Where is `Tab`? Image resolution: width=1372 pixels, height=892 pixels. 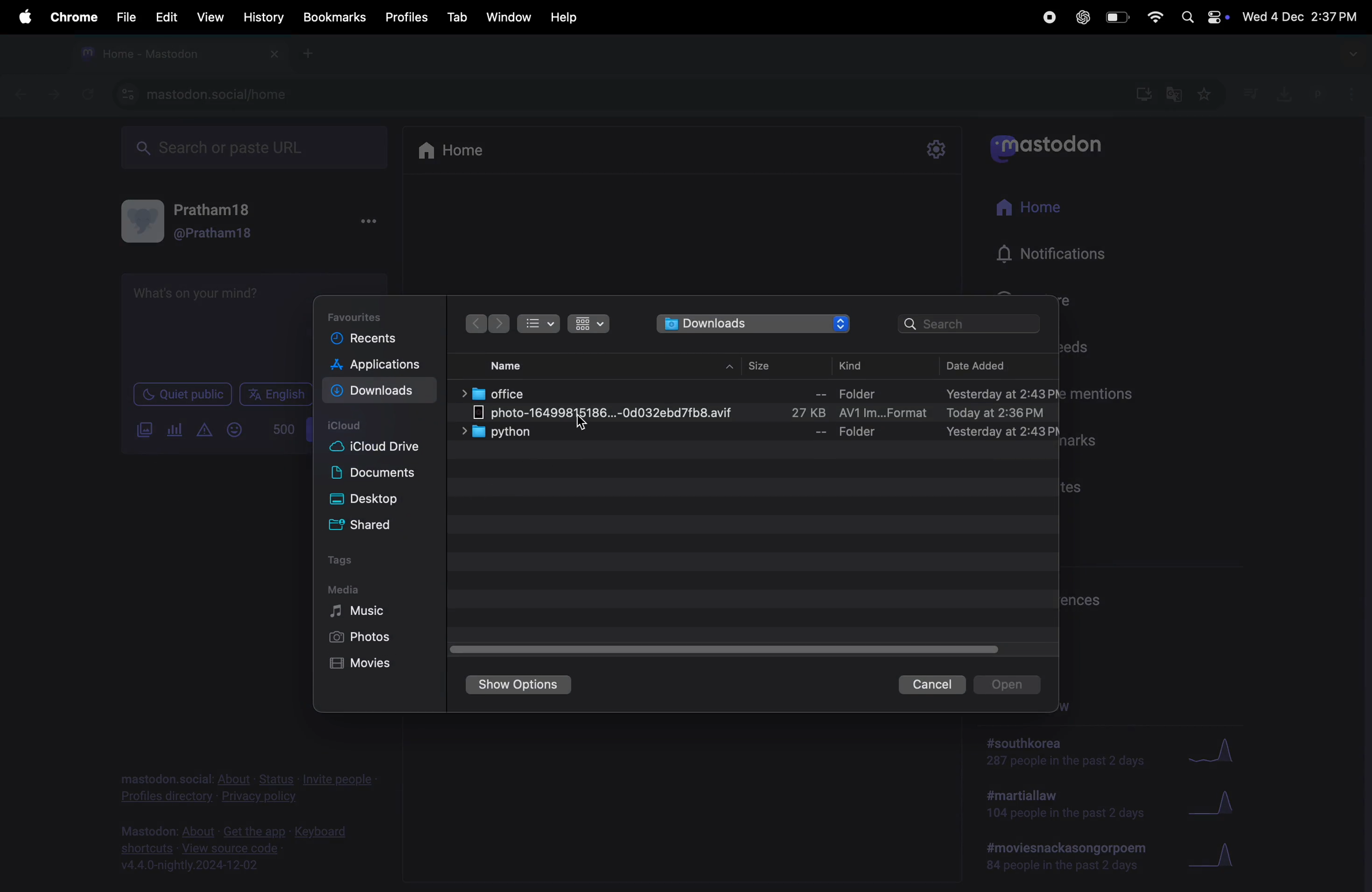 Tab is located at coordinates (459, 16).